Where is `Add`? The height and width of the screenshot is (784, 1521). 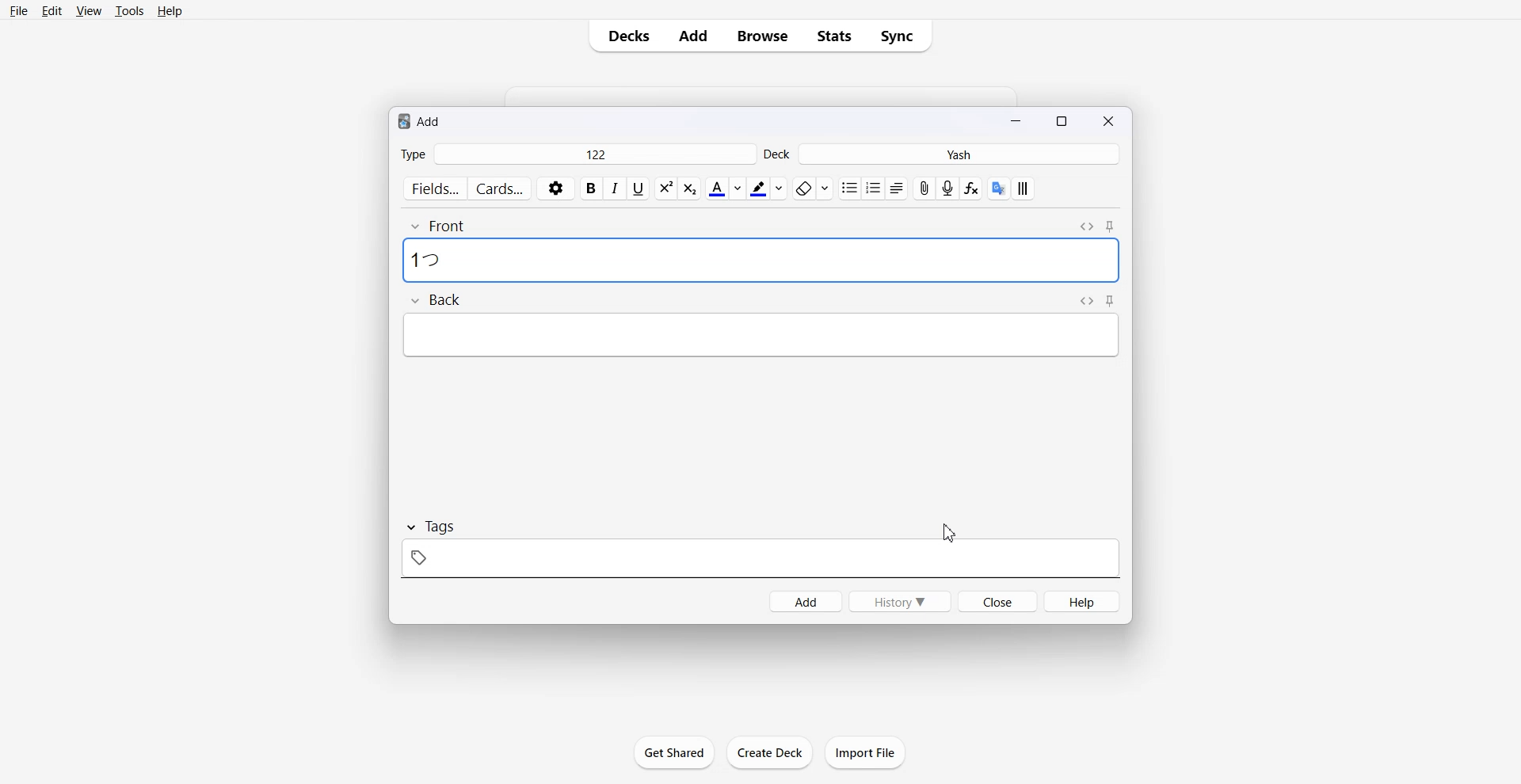 Add is located at coordinates (805, 601).